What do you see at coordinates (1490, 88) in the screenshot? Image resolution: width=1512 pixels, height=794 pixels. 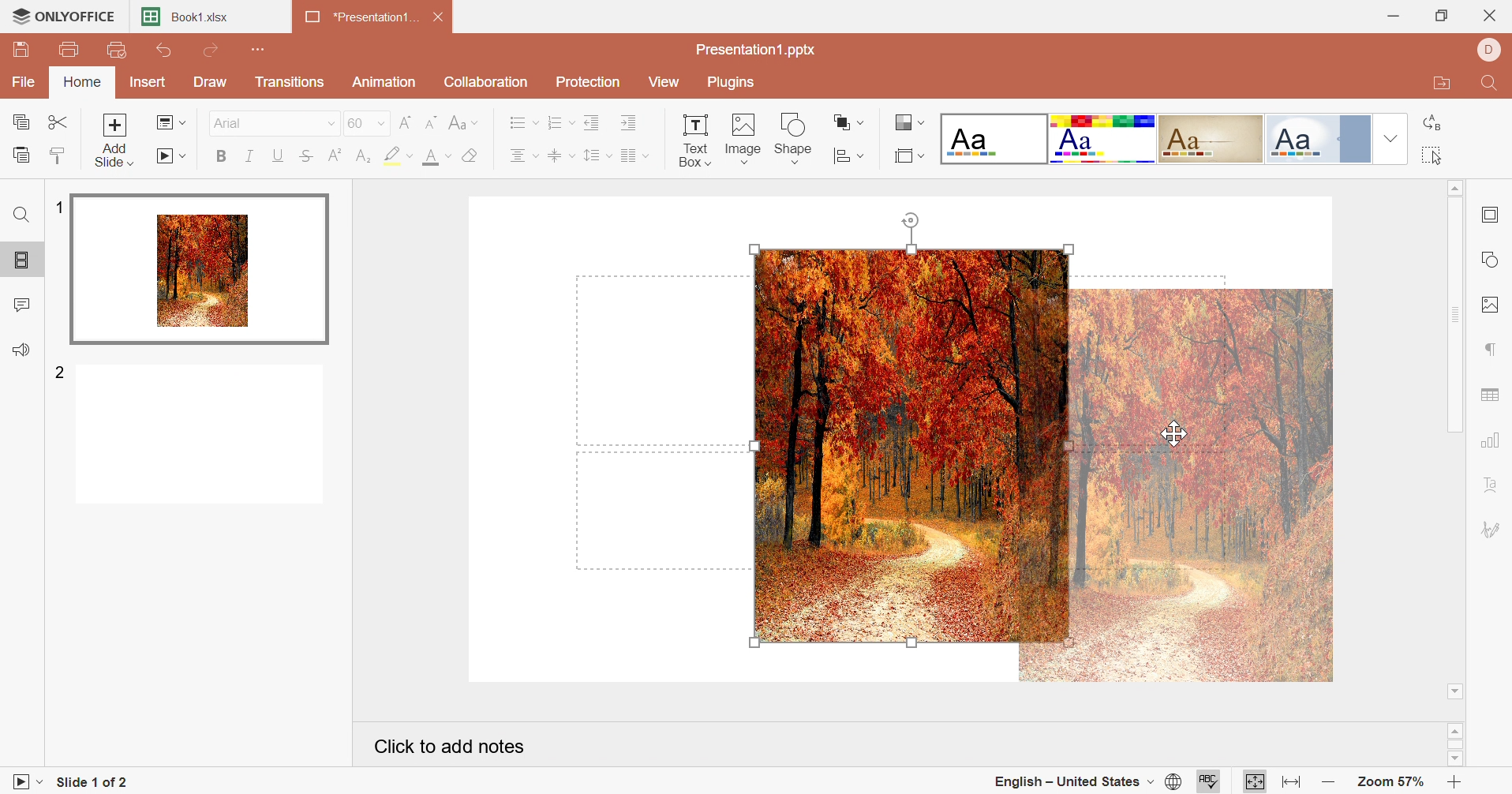 I see `Find` at bounding box center [1490, 88].